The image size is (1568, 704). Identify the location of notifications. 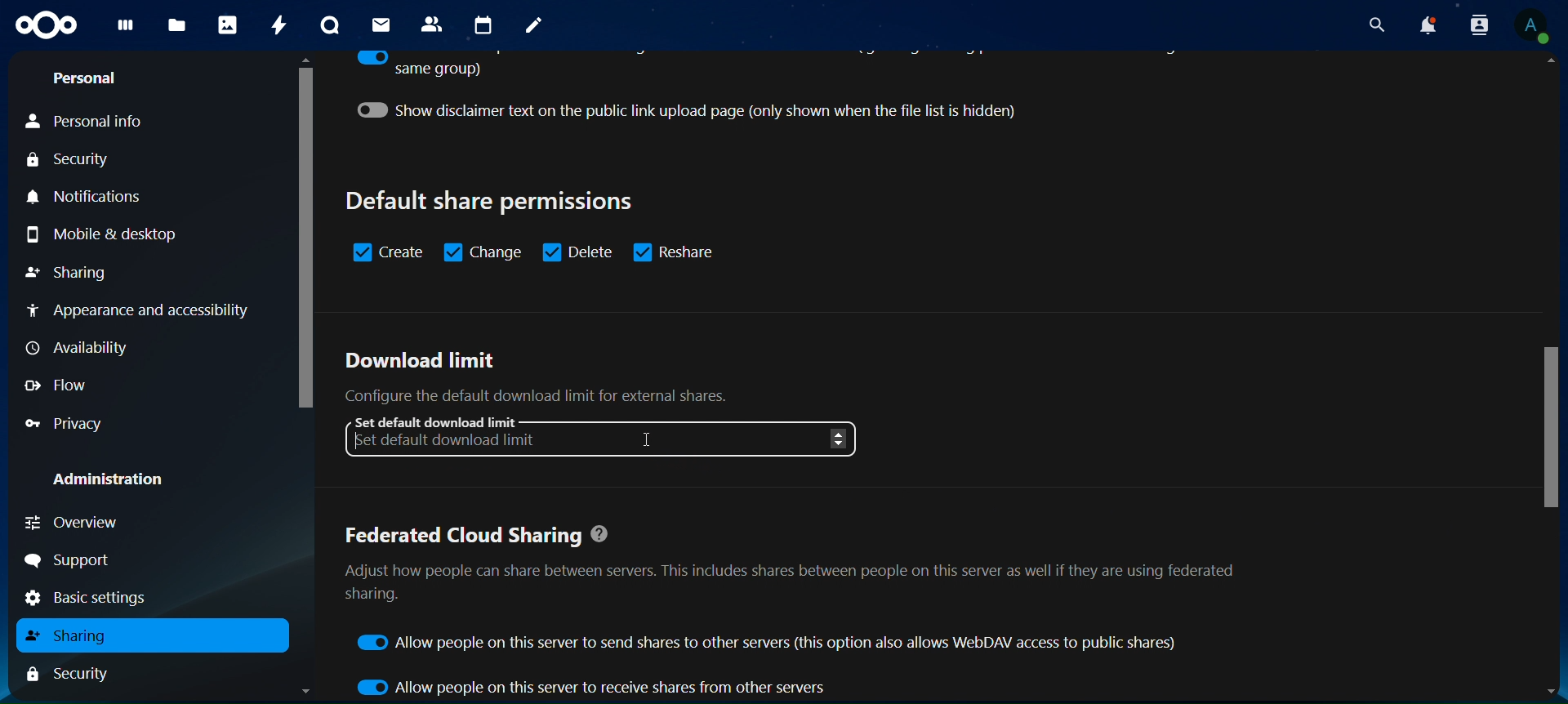
(1427, 25).